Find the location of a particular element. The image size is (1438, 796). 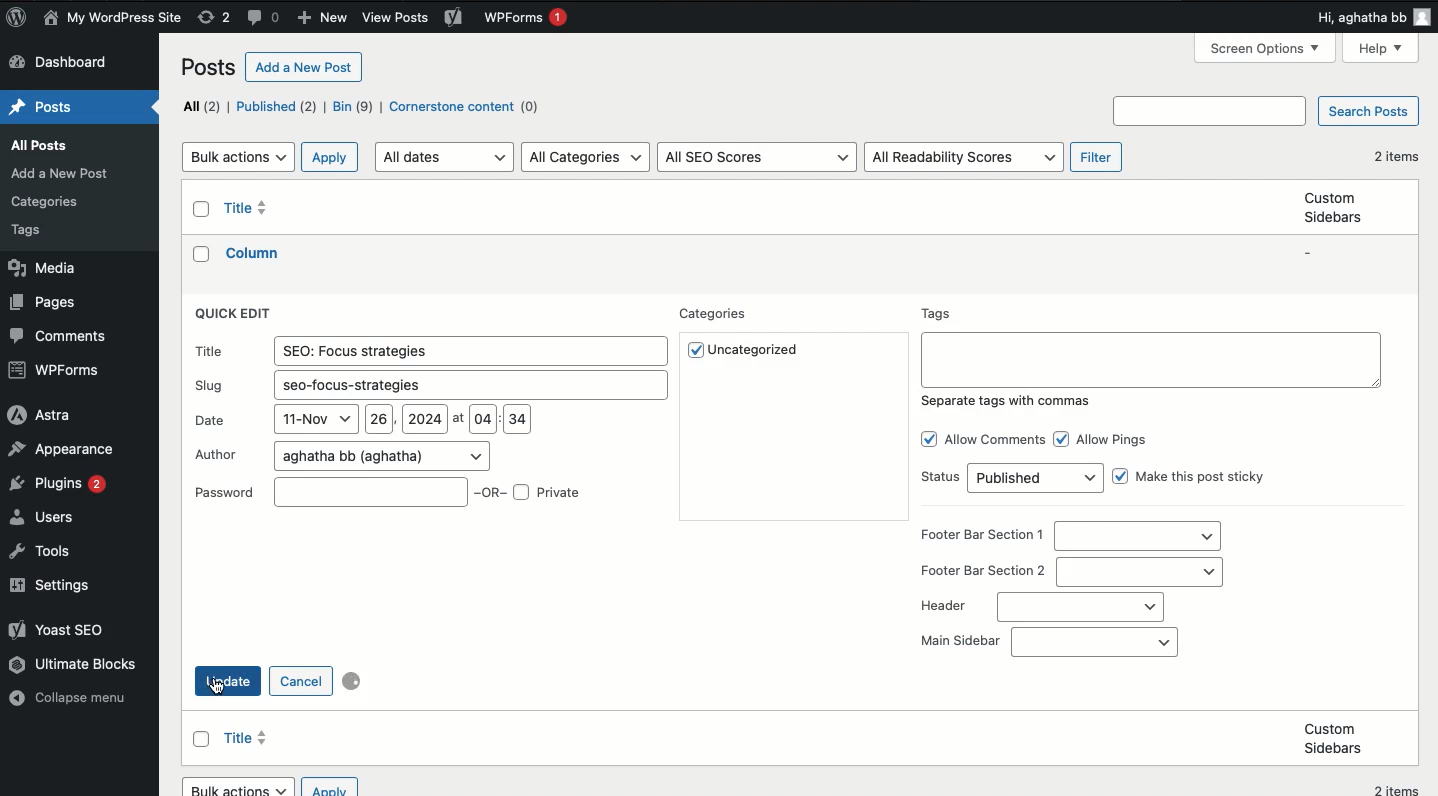

Comments is located at coordinates (57, 336).